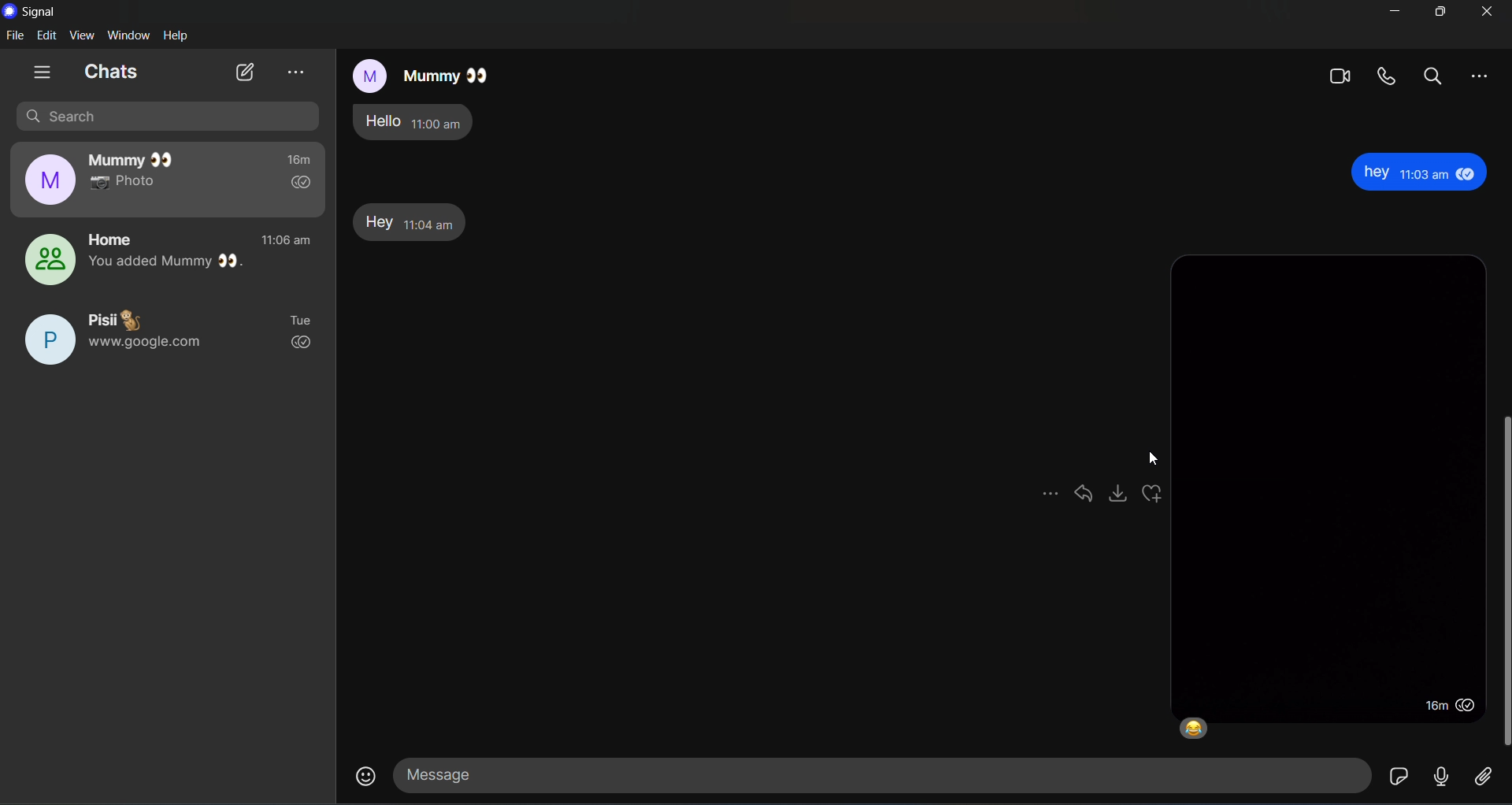 The height and width of the screenshot is (805, 1512). What do you see at coordinates (1399, 777) in the screenshot?
I see `sticker` at bounding box center [1399, 777].